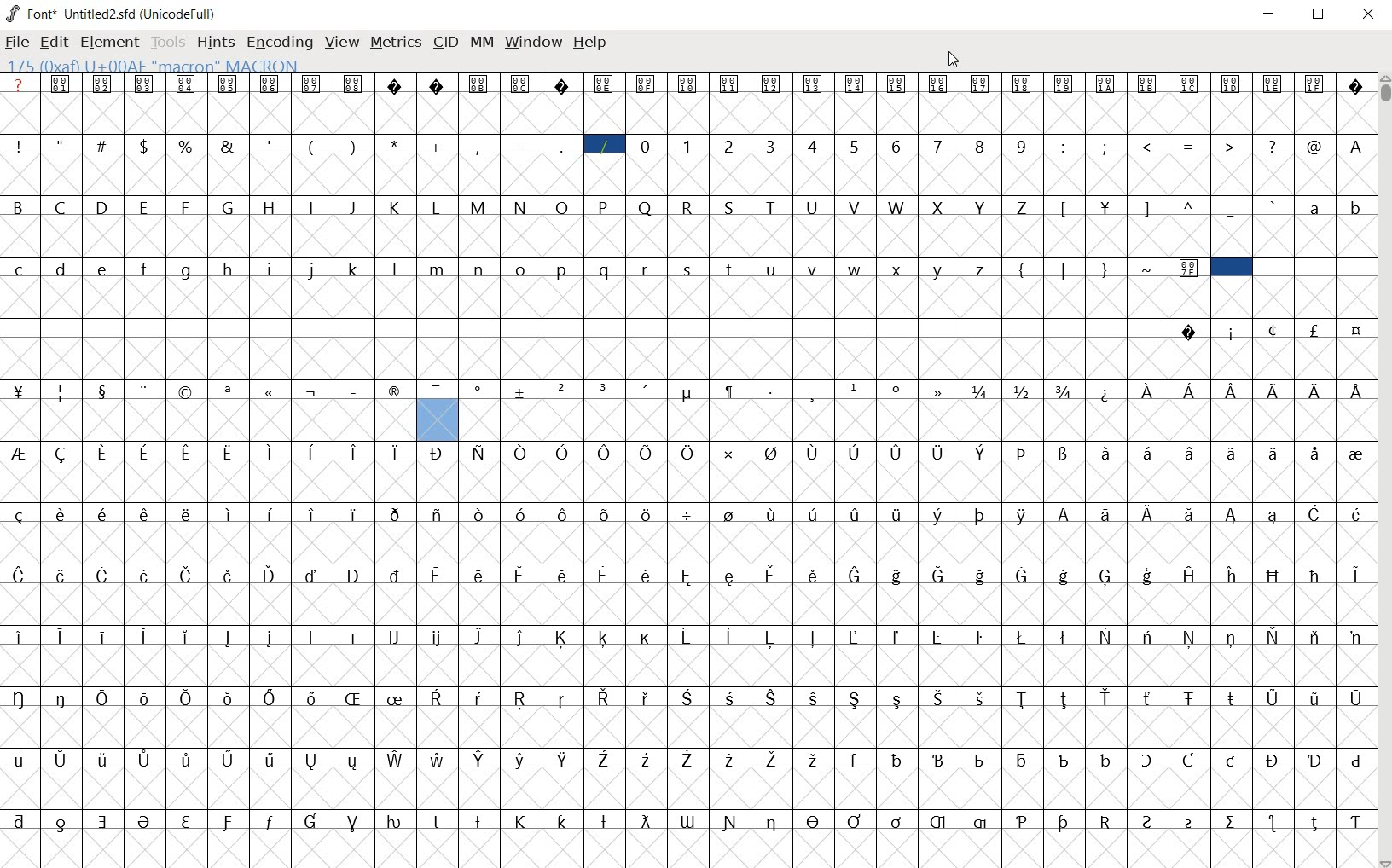 The width and height of the screenshot is (1392, 868). What do you see at coordinates (229, 575) in the screenshot?
I see `Symbol` at bounding box center [229, 575].